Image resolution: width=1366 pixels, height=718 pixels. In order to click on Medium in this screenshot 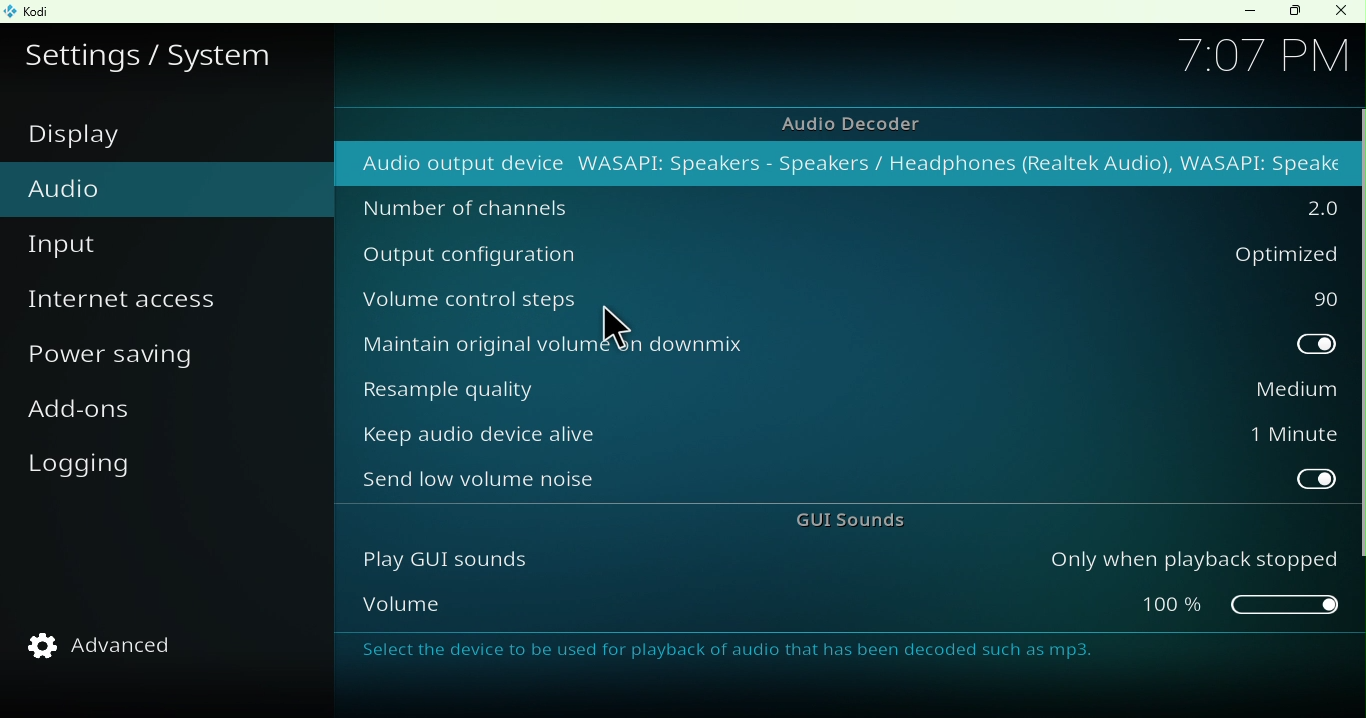, I will do `click(1221, 391)`.